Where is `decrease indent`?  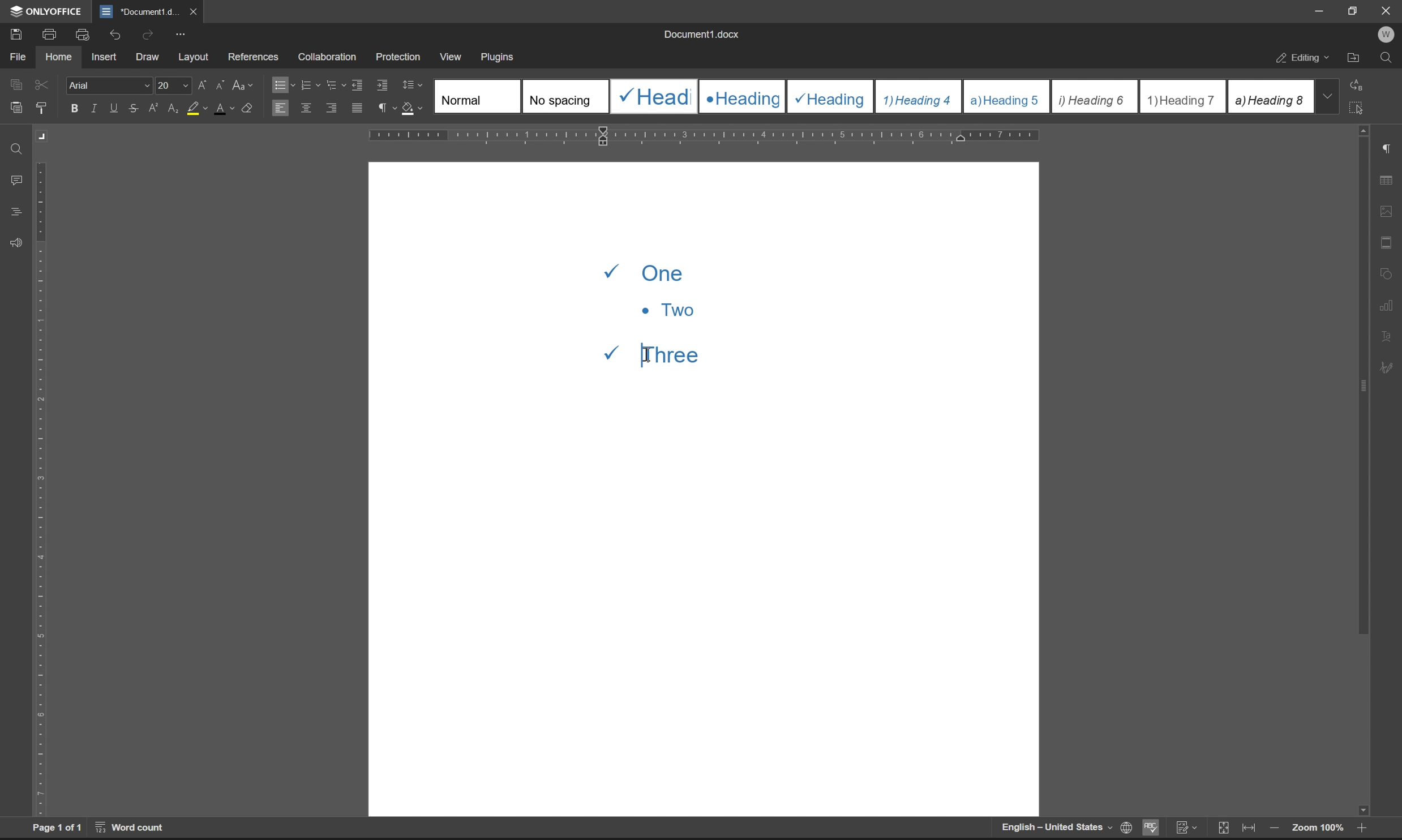 decrease indent is located at coordinates (360, 84).